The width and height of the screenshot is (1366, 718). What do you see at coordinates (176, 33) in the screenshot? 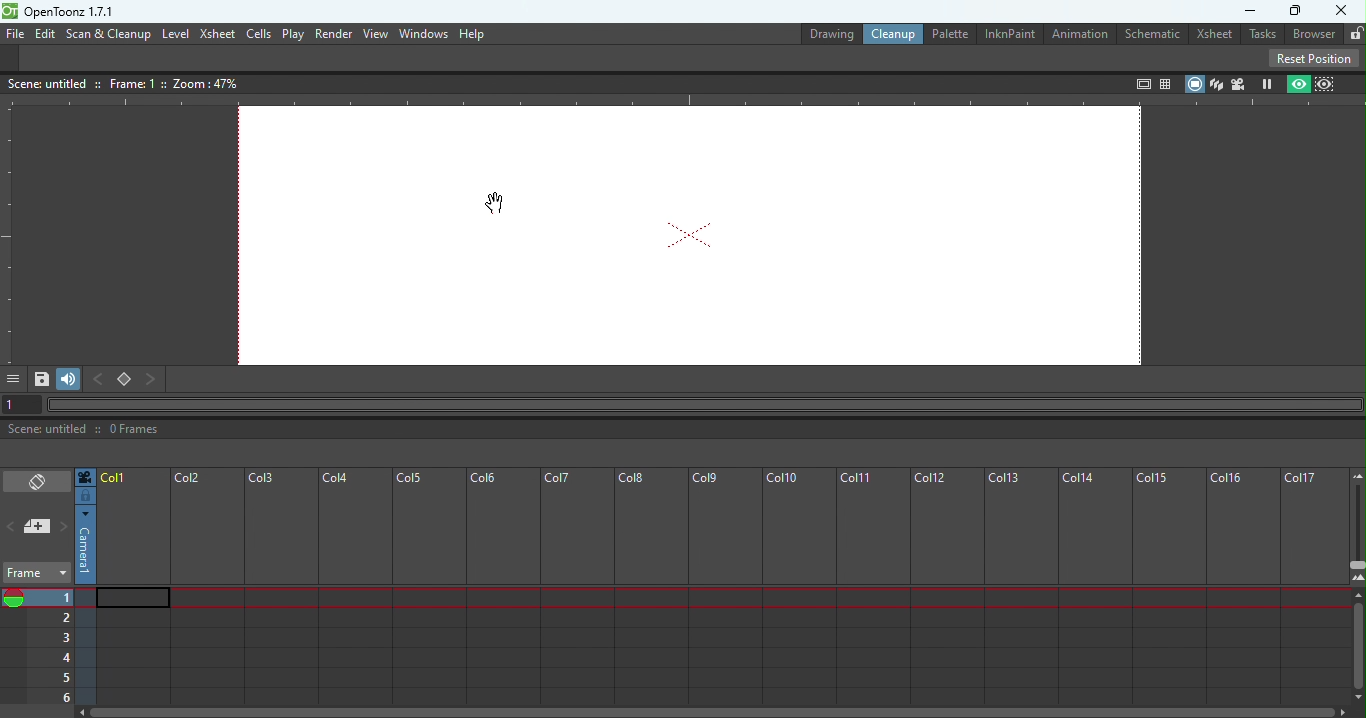
I see `Level` at bounding box center [176, 33].